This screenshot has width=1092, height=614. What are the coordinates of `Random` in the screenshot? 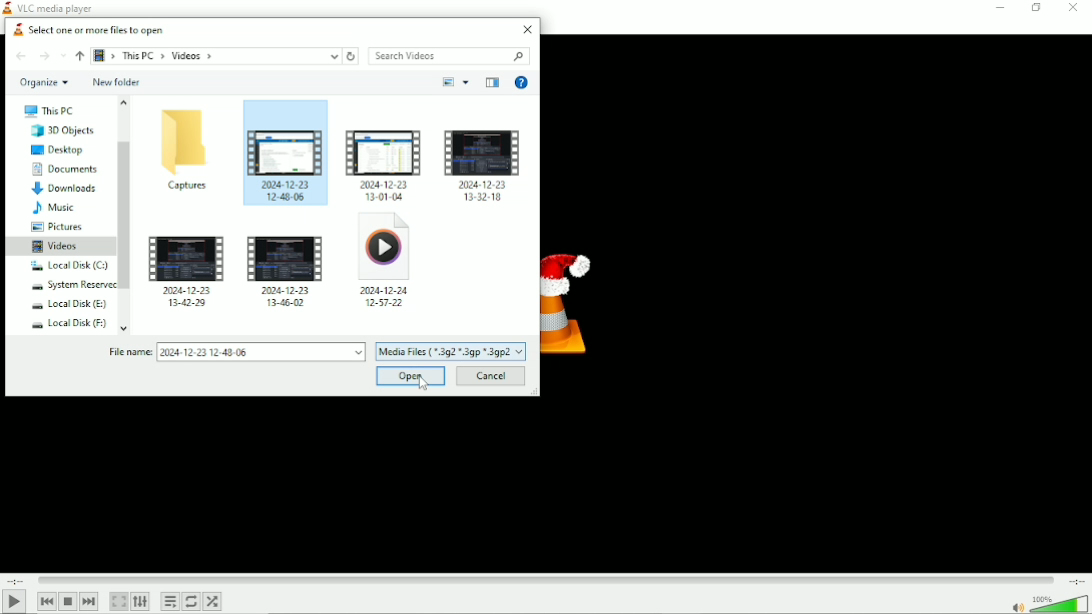 It's located at (213, 603).